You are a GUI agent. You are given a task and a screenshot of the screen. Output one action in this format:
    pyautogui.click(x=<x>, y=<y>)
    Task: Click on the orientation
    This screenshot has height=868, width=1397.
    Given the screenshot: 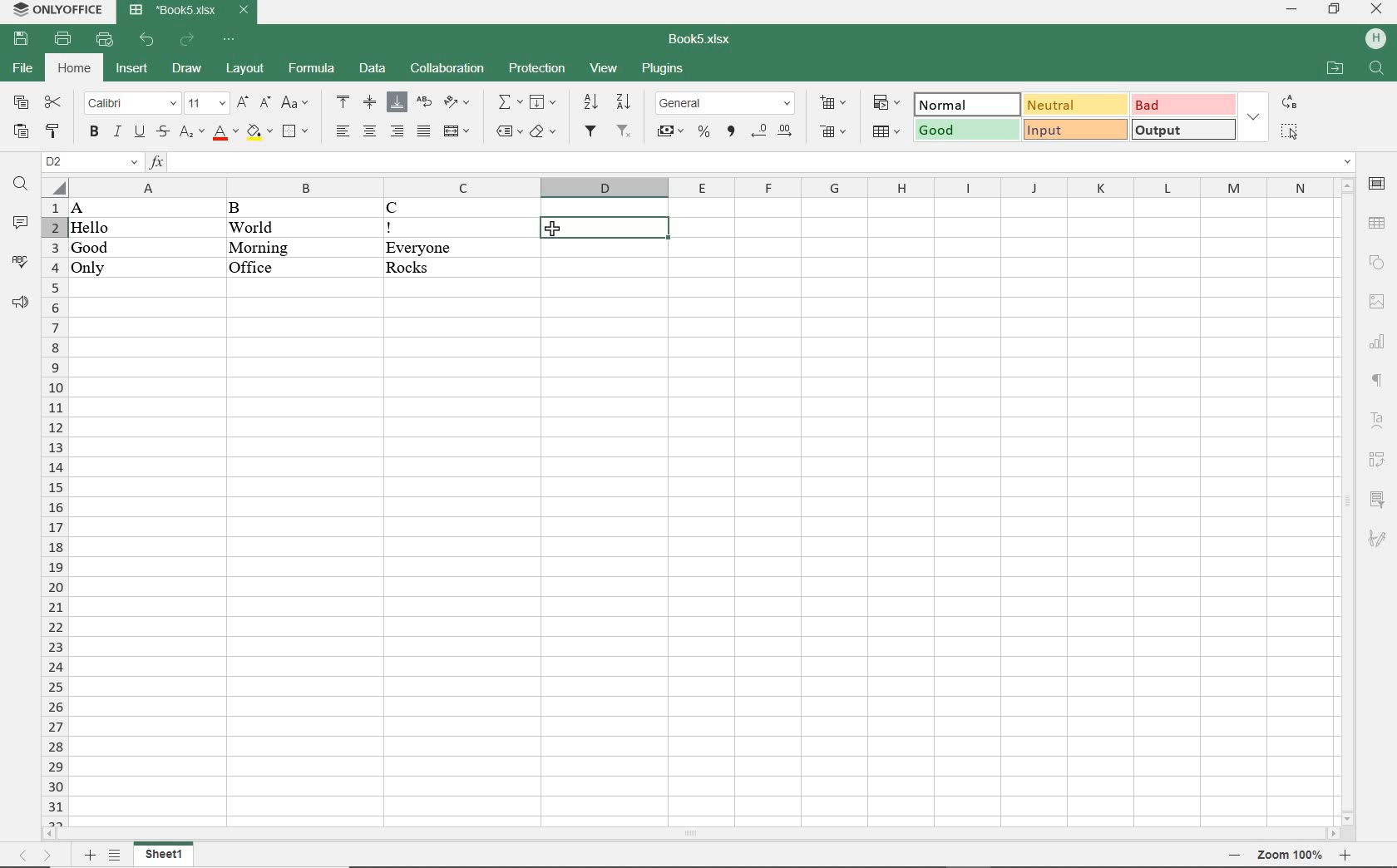 What is the action you would take?
    pyautogui.click(x=457, y=104)
    